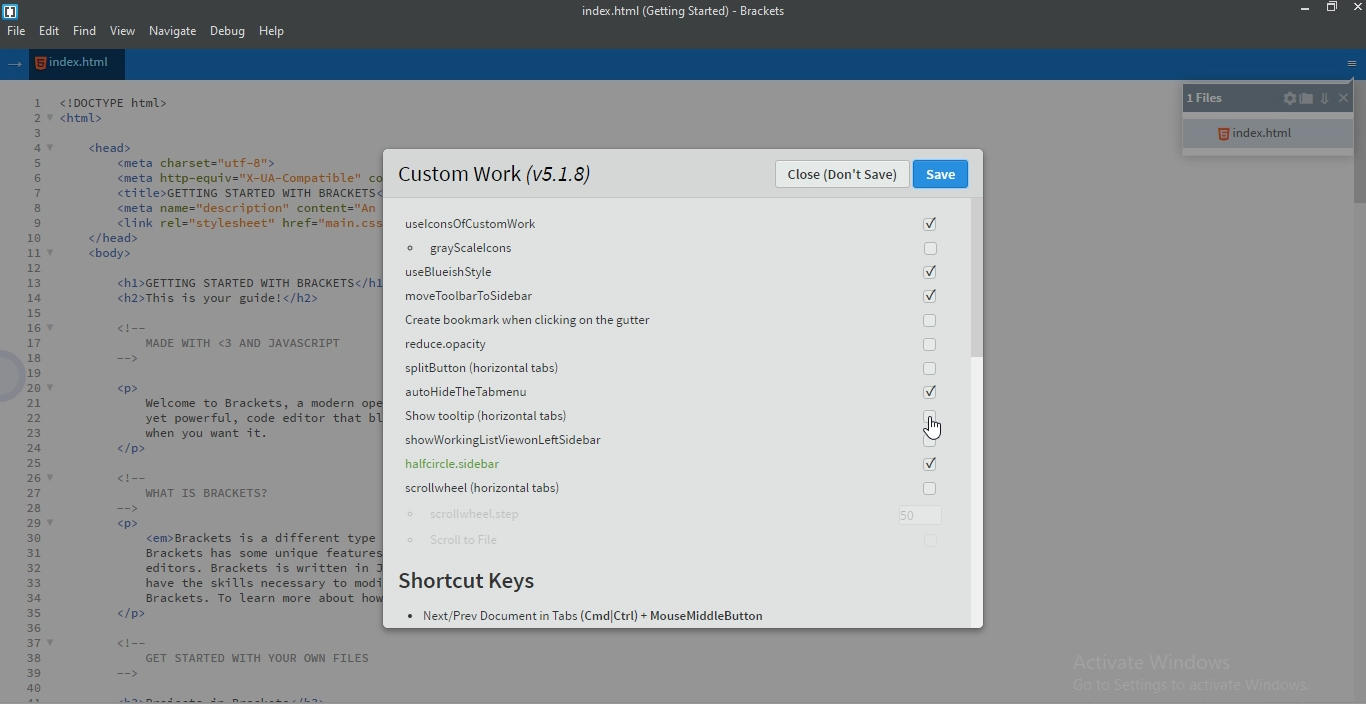  Describe the element at coordinates (585, 616) in the screenshot. I see `BN ¢ Next/Prev Document in Tabs (Cmd|Ctrl) + MouseMiddleButton` at that location.